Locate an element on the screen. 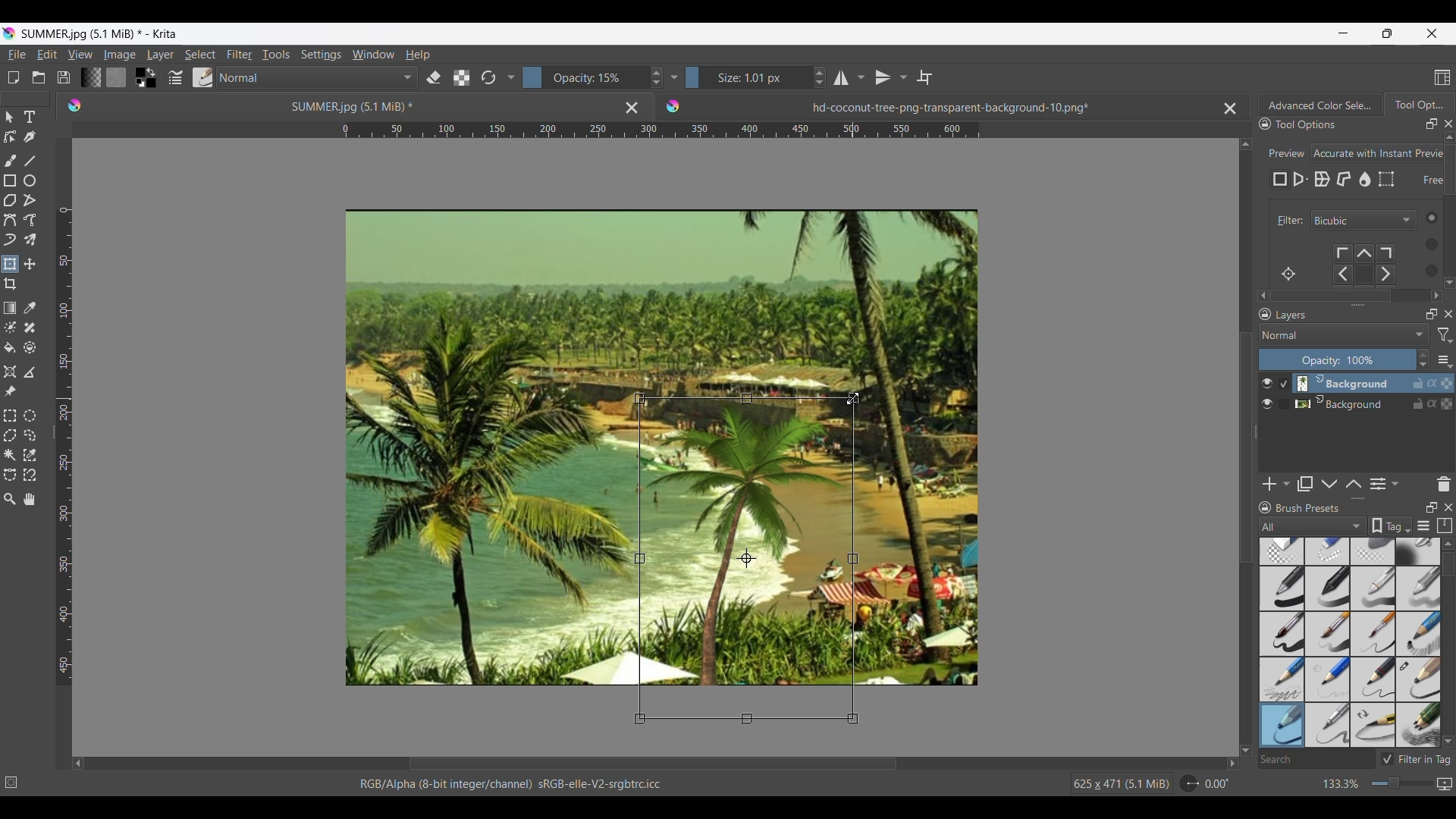  Gradient tool is located at coordinates (10, 308).